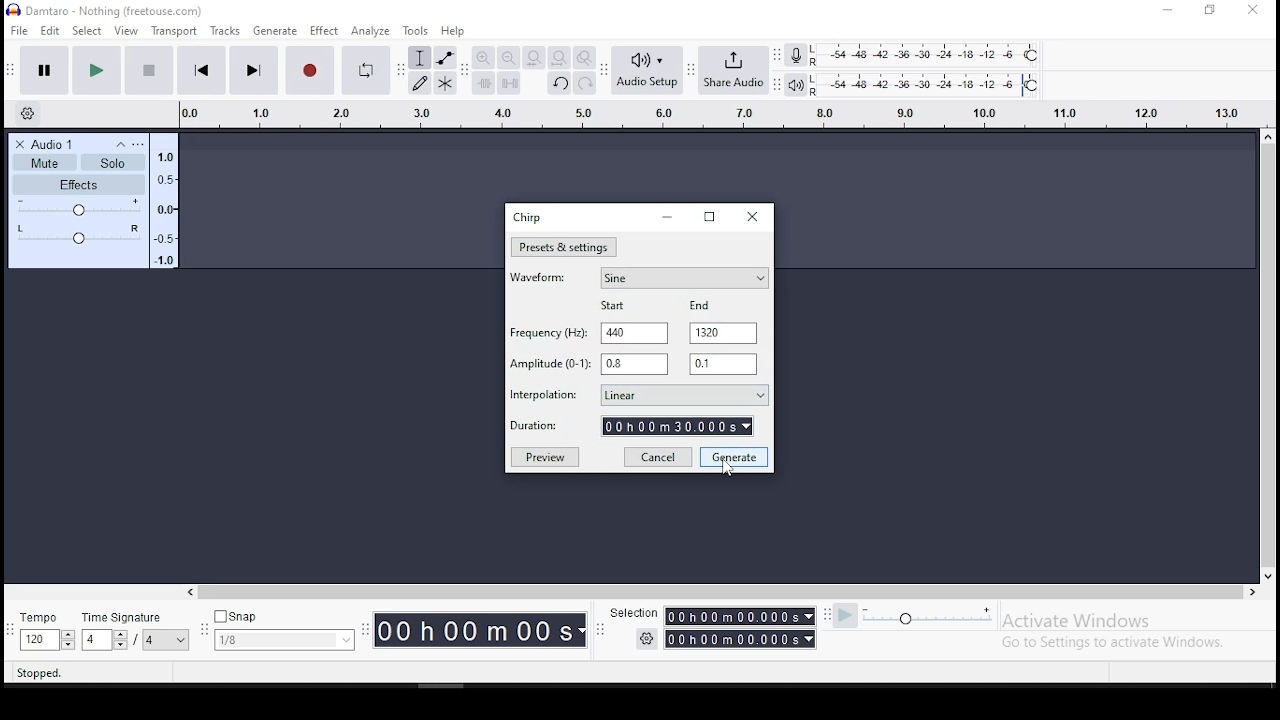  I want to click on pause, so click(45, 69).